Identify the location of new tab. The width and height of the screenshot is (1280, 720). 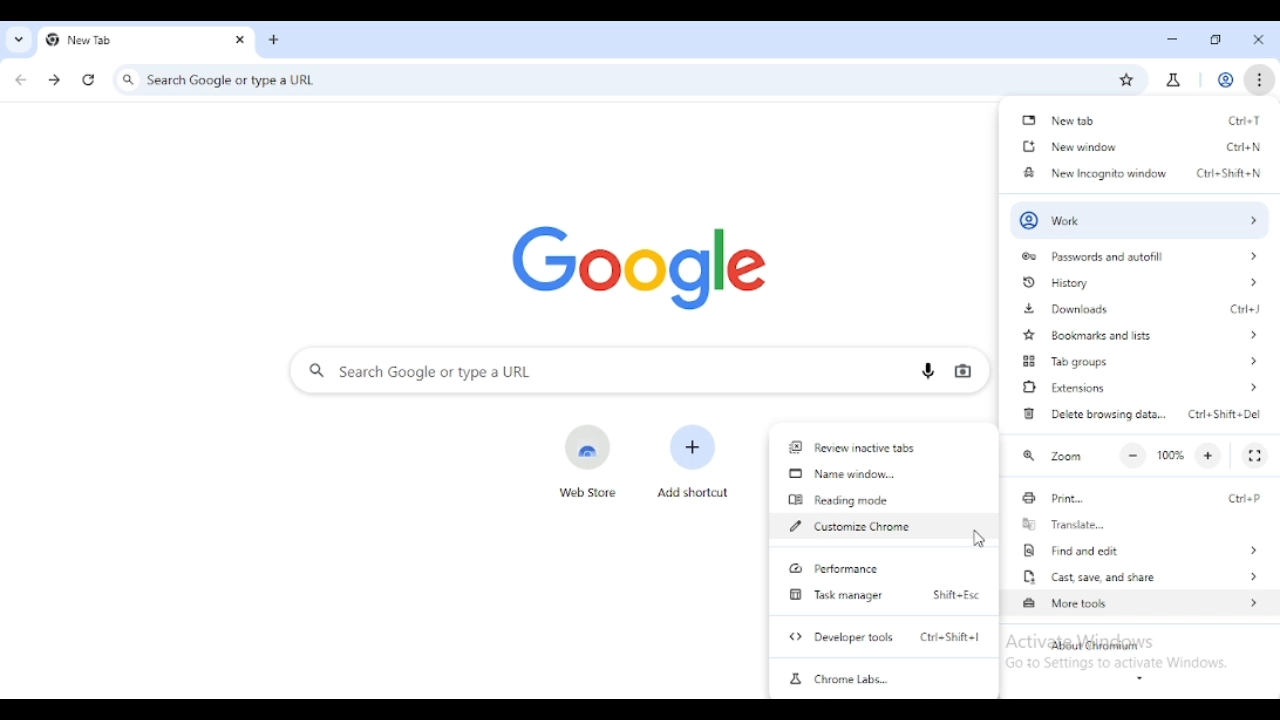
(1058, 121).